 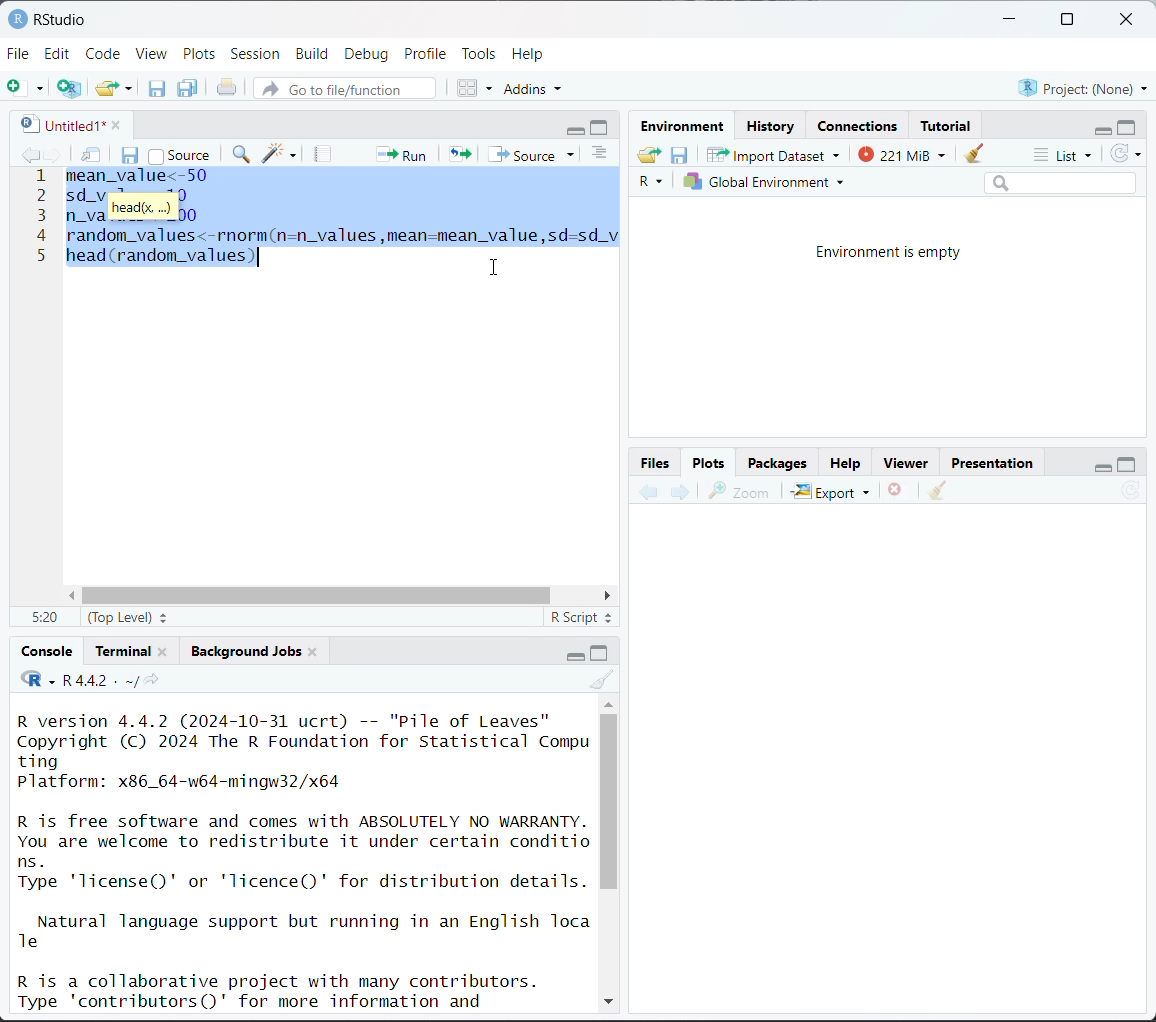 What do you see at coordinates (130, 617) in the screenshot?
I see `(top level)` at bounding box center [130, 617].